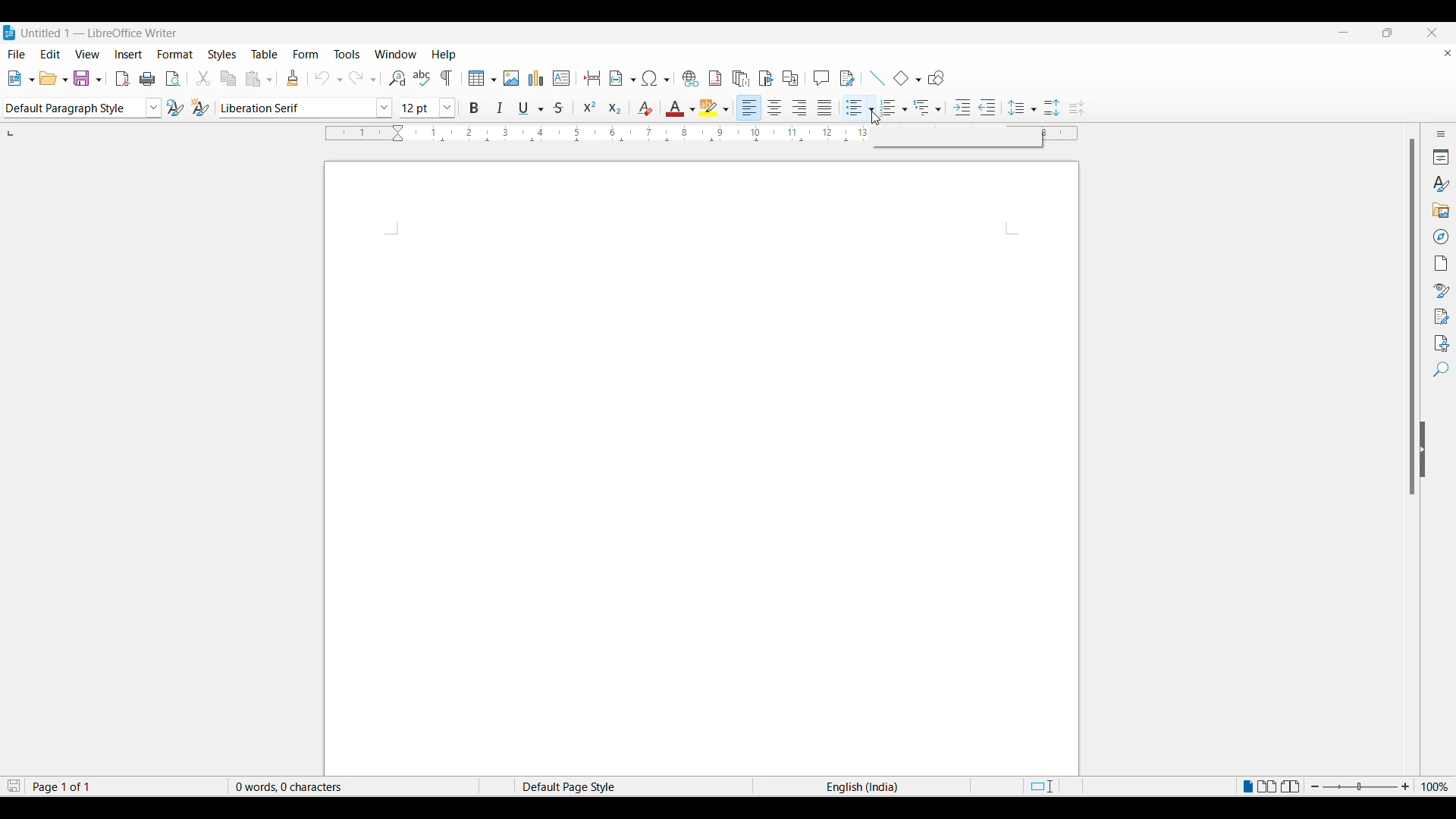 This screenshot has height=819, width=1456. What do you see at coordinates (1440, 184) in the screenshot?
I see `Styles` at bounding box center [1440, 184].